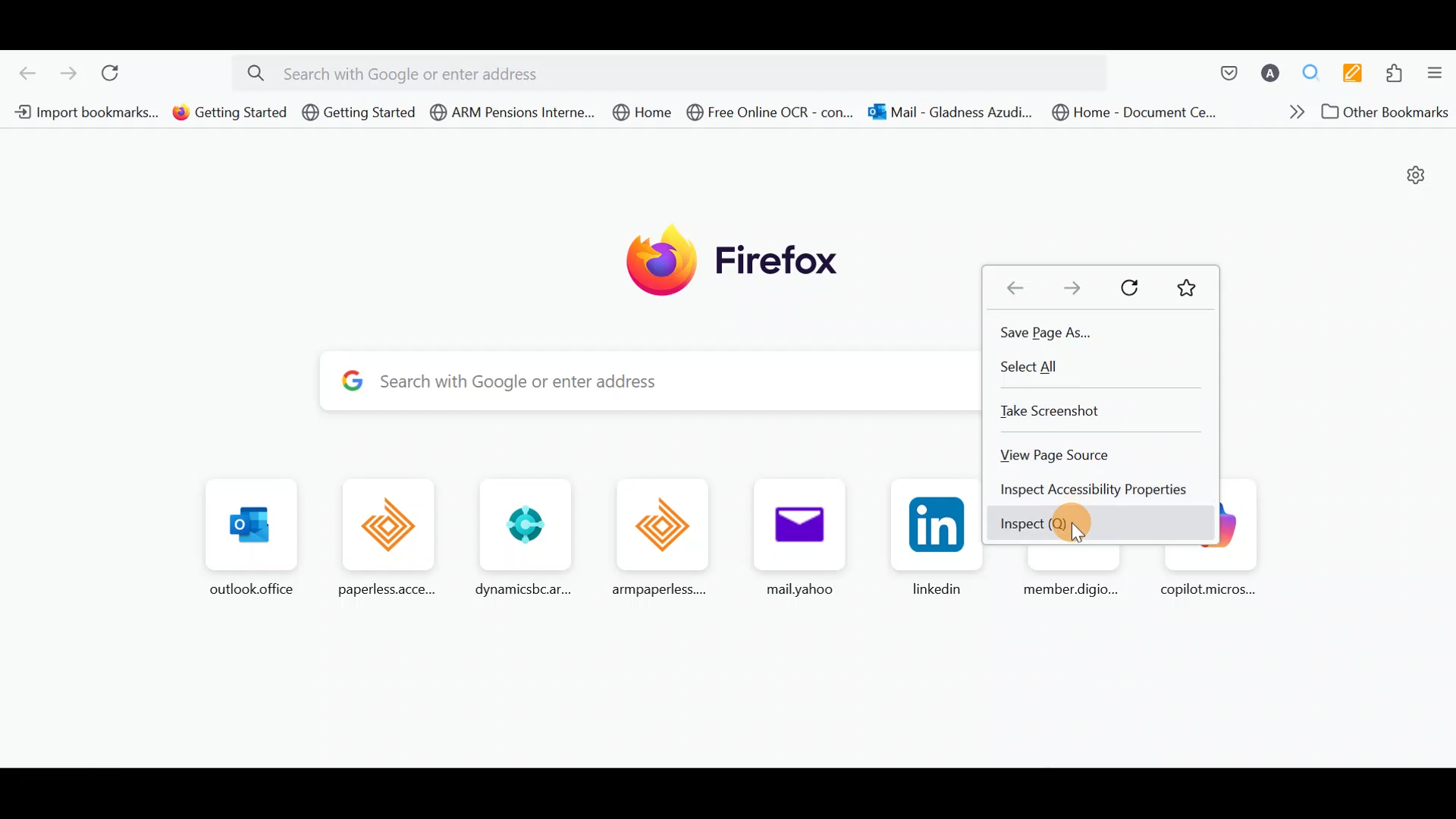 The height and width of the screenshot is (819, 1456). I want to click on Bookmark 1, so click(86, 114).